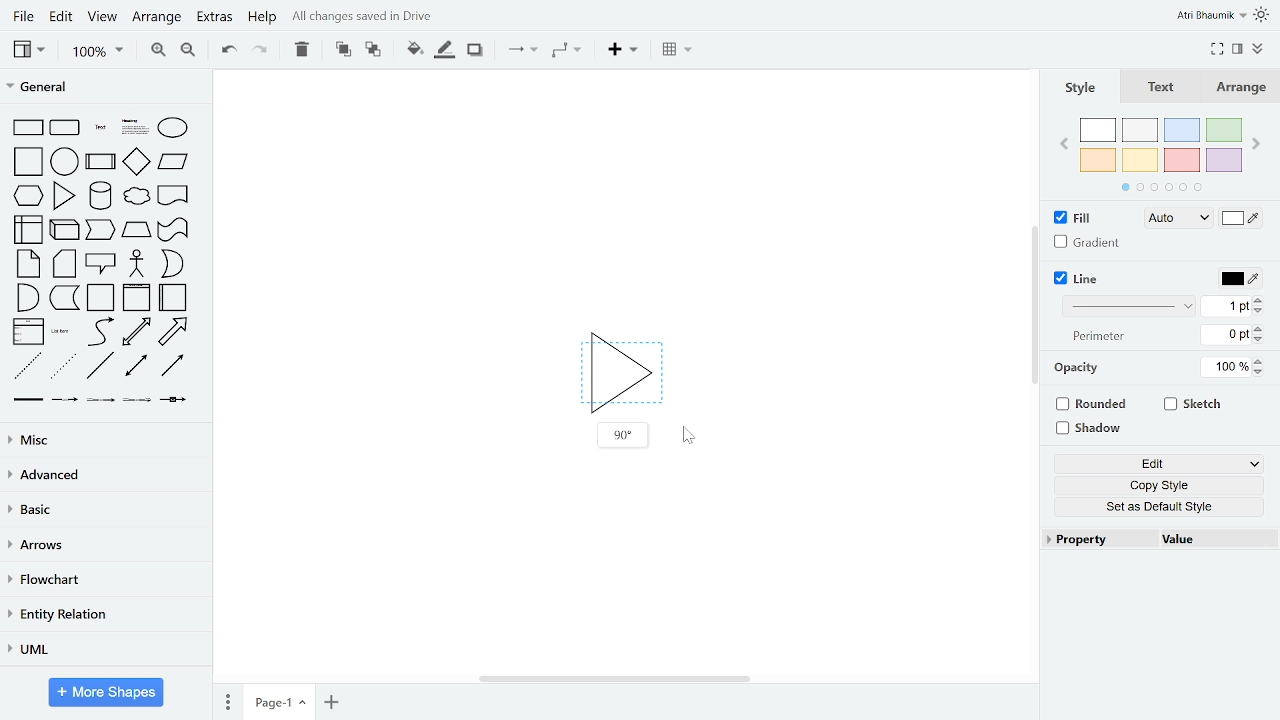 The width and height of the screenshot is (1280, 720). Describe the element at coordinates (27, 367) in the screenshot. I see `dashed line` at that location.